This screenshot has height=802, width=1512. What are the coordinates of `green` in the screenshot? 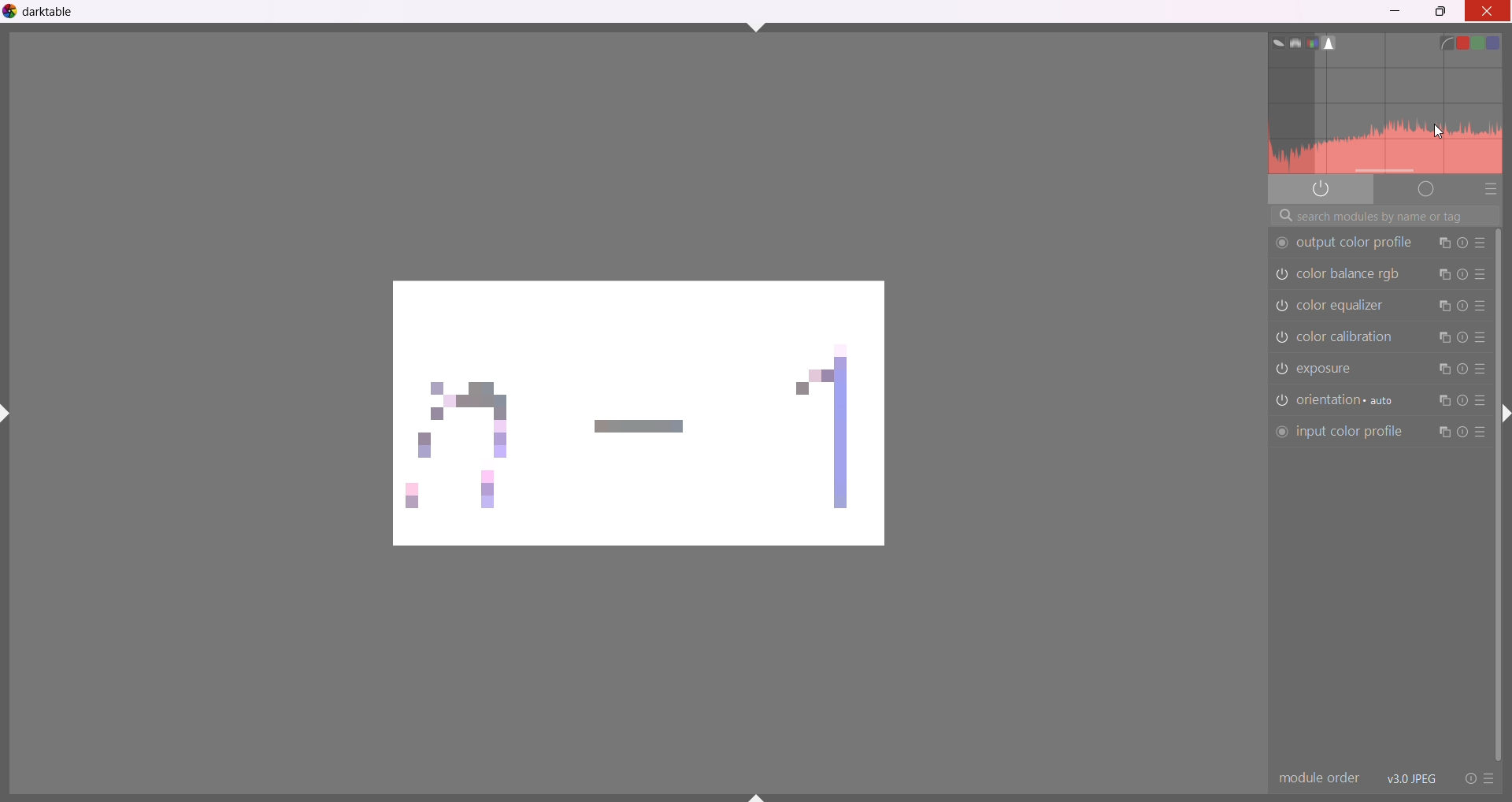 It's located at (1484, 43).